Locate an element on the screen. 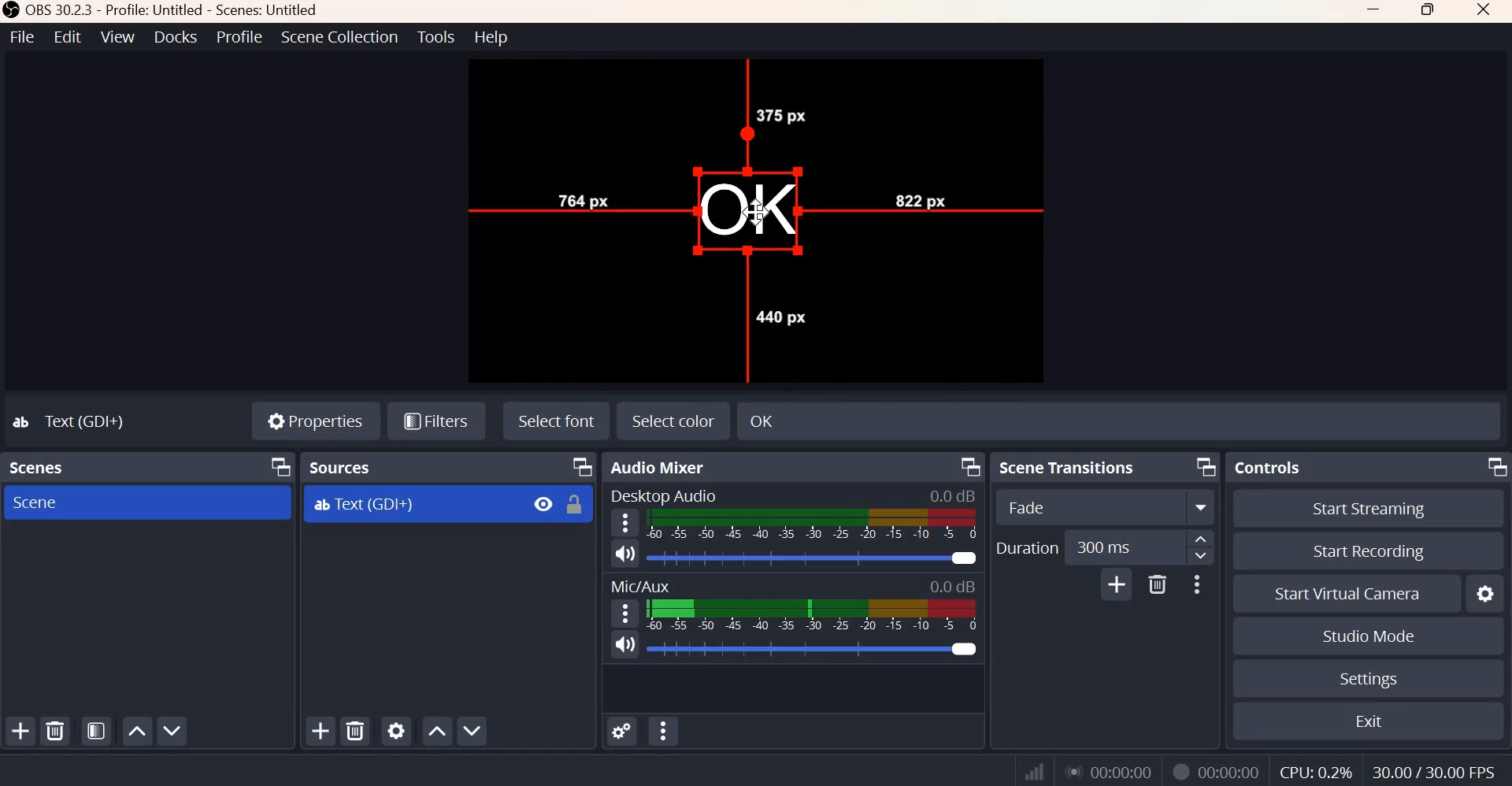 Image resolution: width=1512 pixels, height=786 pixels. 440 px is located at coordinates (780, 316).